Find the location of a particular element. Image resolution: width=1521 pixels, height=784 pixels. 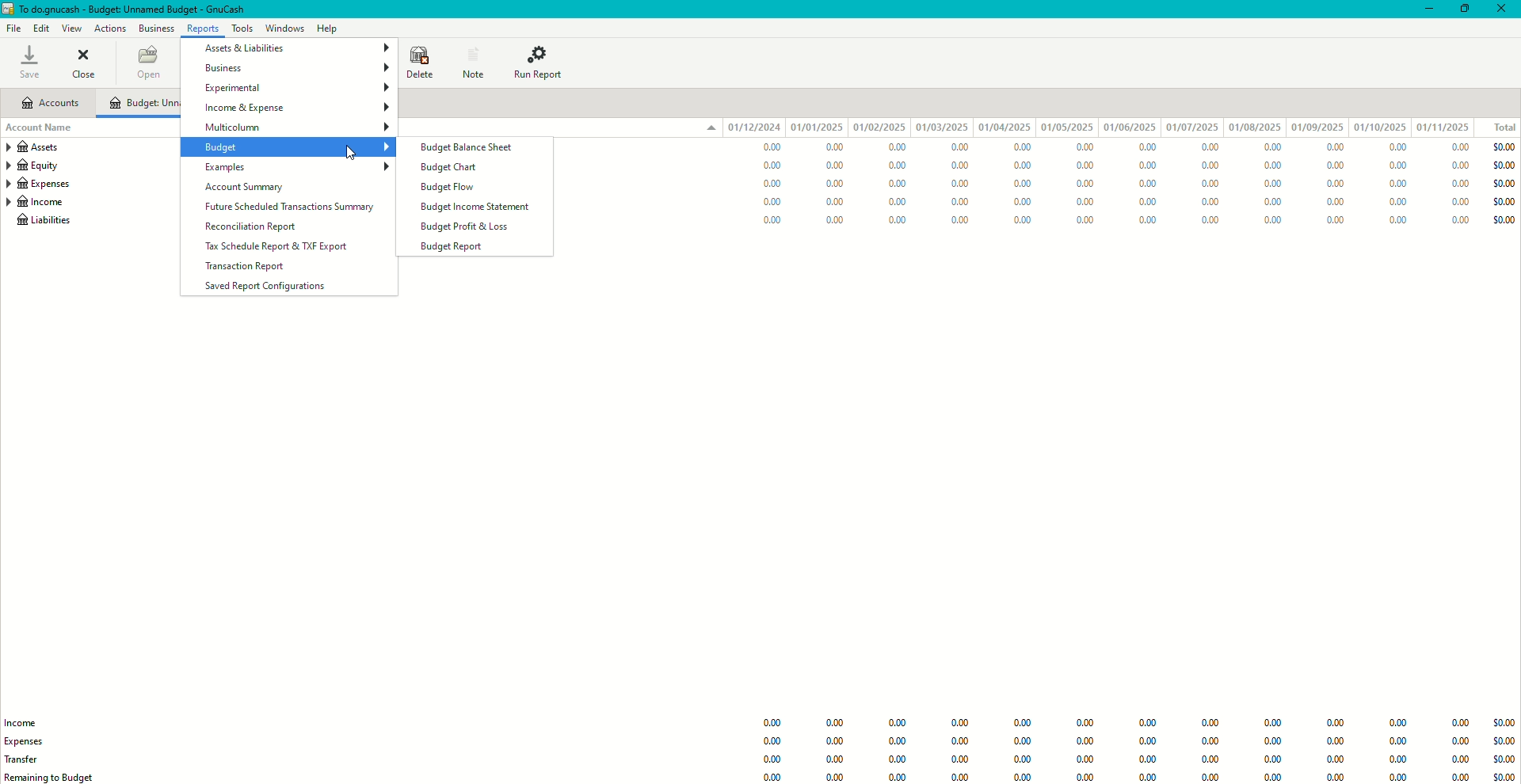

Expenses is located at coordinates (32, 740).